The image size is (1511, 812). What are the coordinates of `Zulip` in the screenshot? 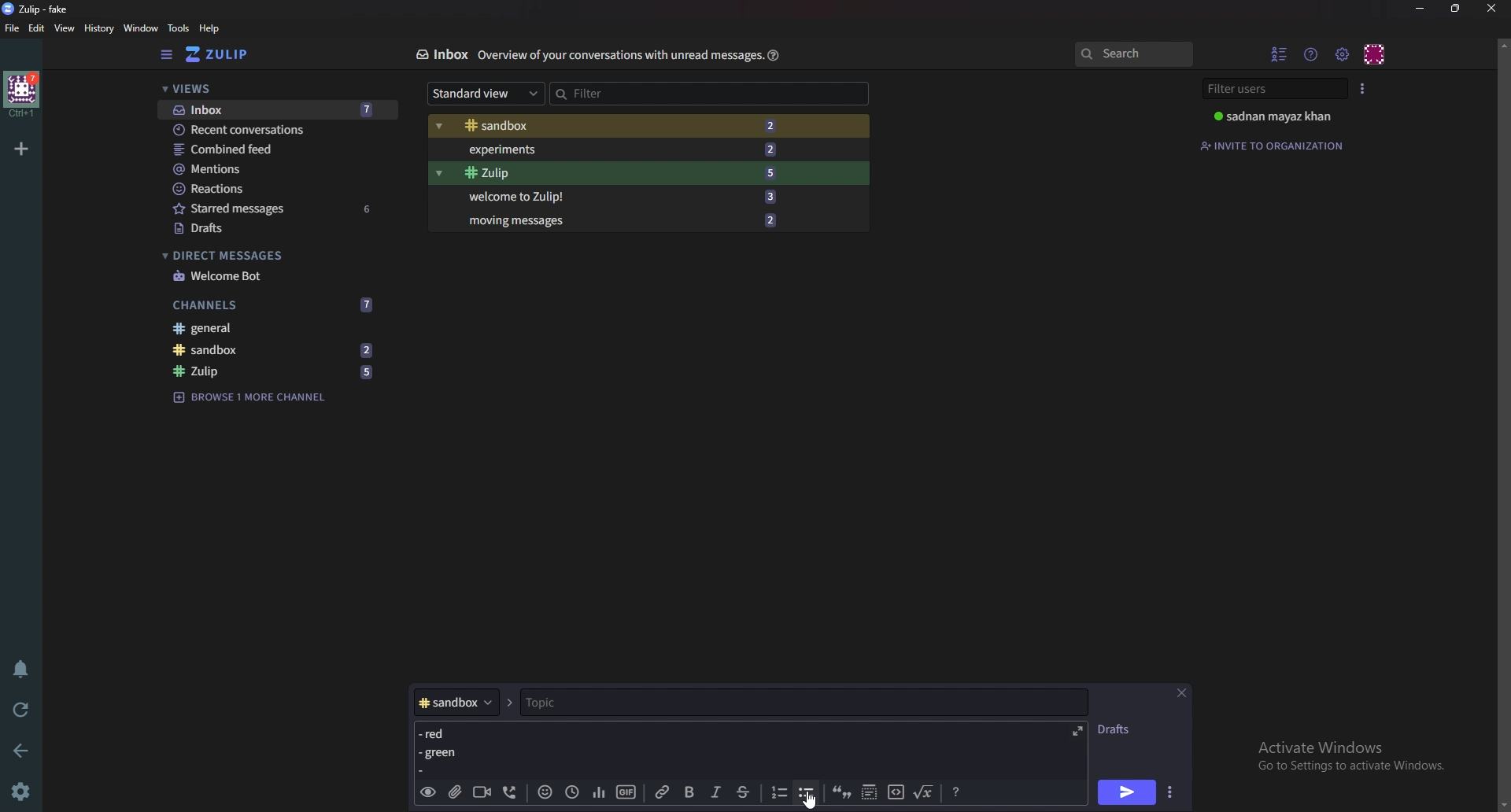 It's located at (275, 372).